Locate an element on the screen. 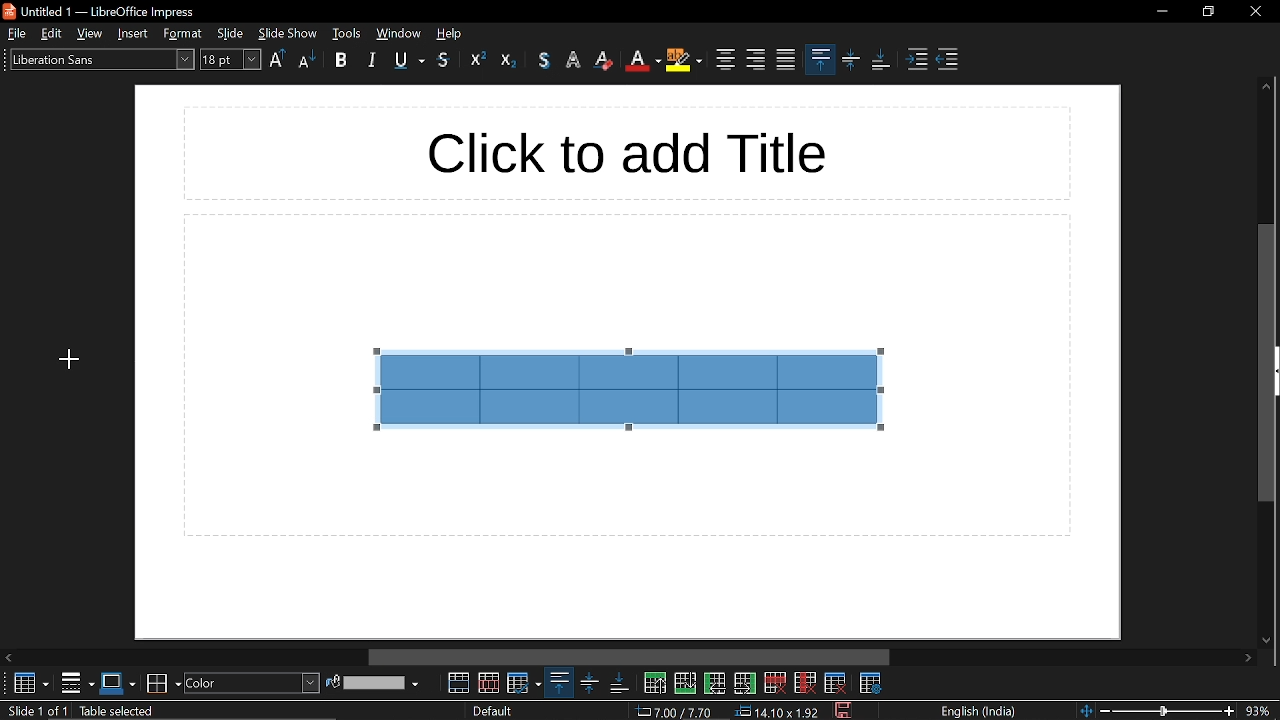 This screenshot has width=1280, height=720. outline is located at coordinates (478, 59).